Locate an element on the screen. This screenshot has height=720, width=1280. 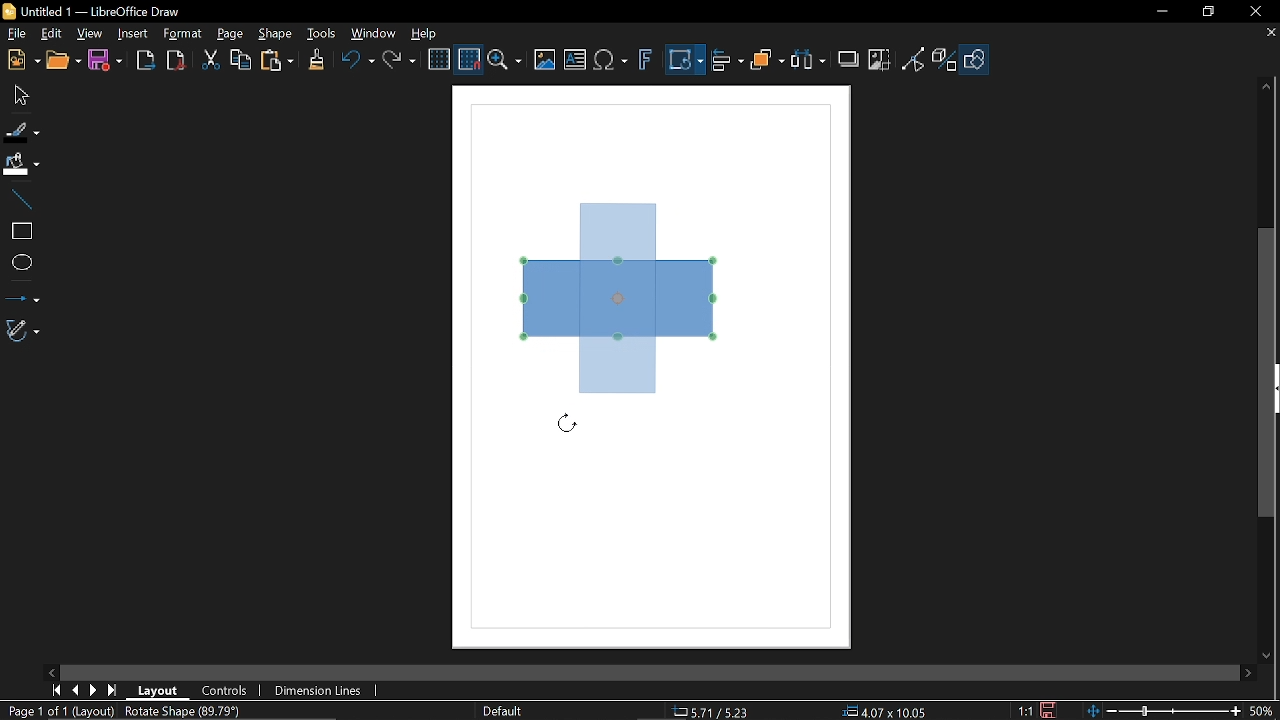
Snap to grid is located at coordinates (468, 60).